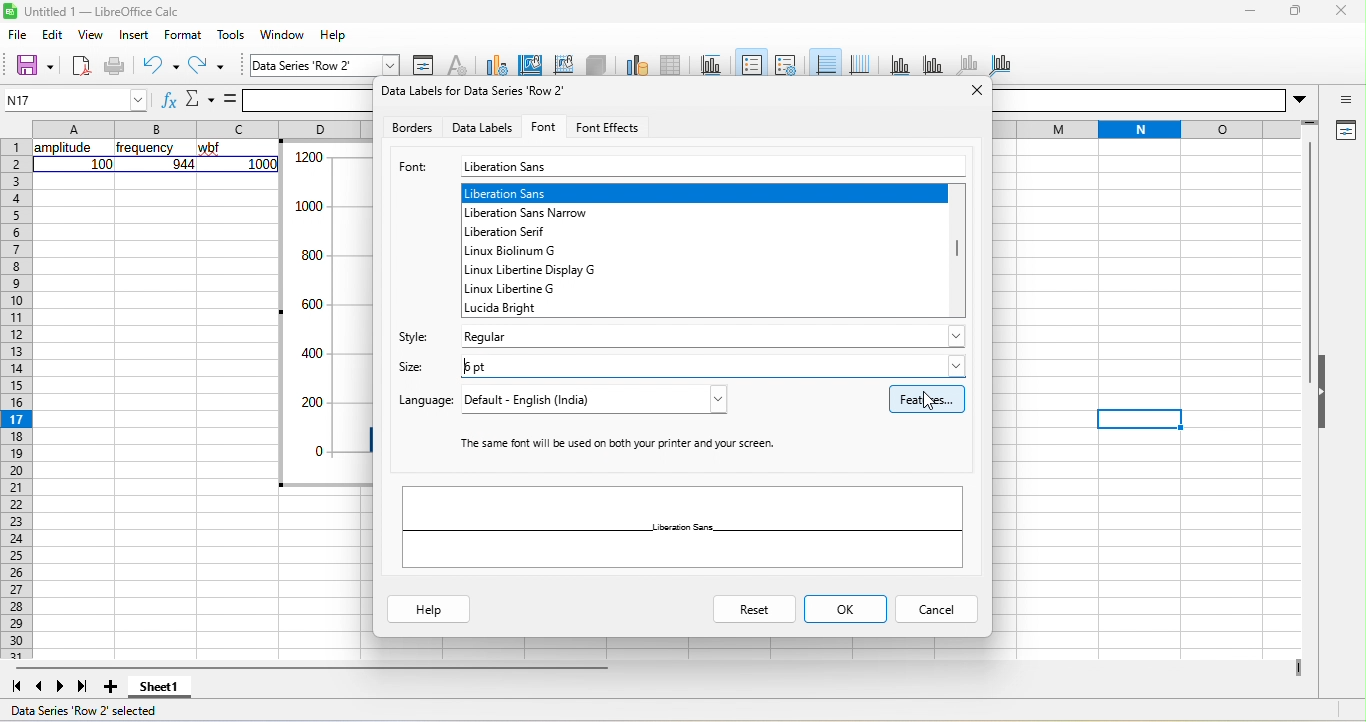 The width and height of the screenshot is (1366, 722). What do you see at coordinates (527, 252) in the screenshot?
I see `linux biolinum g` at bounding box center [527, 252].